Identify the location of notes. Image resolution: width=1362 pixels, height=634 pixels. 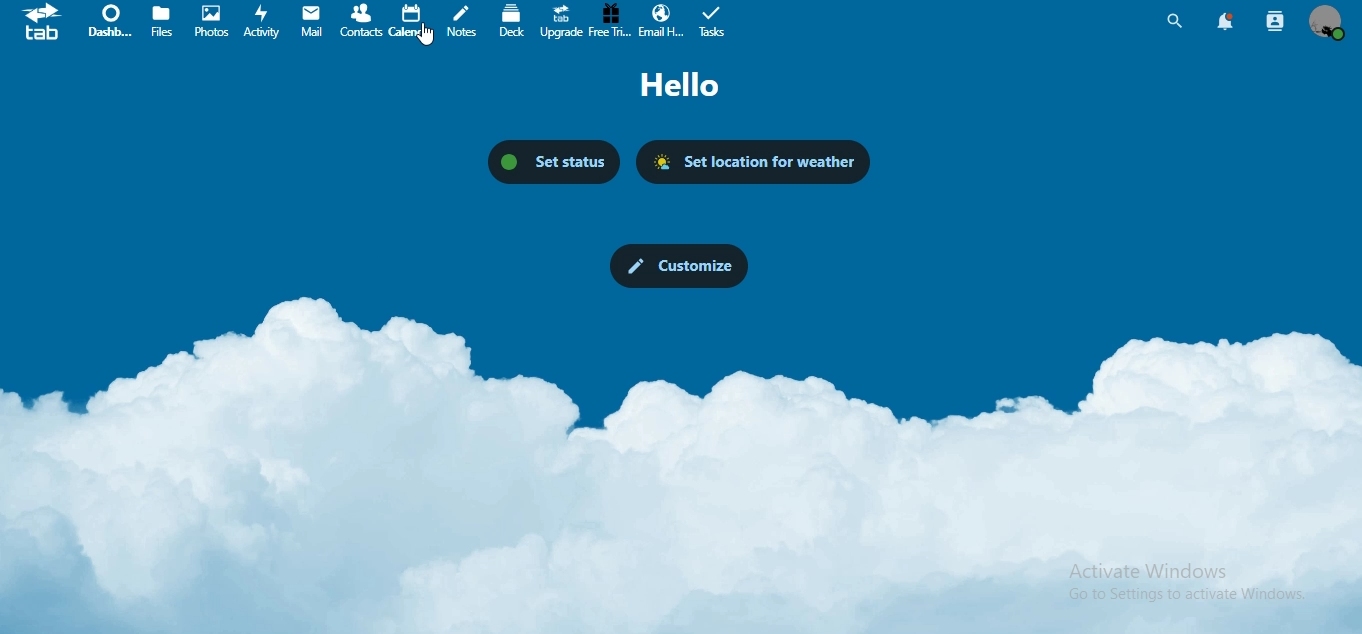
(461, 21).